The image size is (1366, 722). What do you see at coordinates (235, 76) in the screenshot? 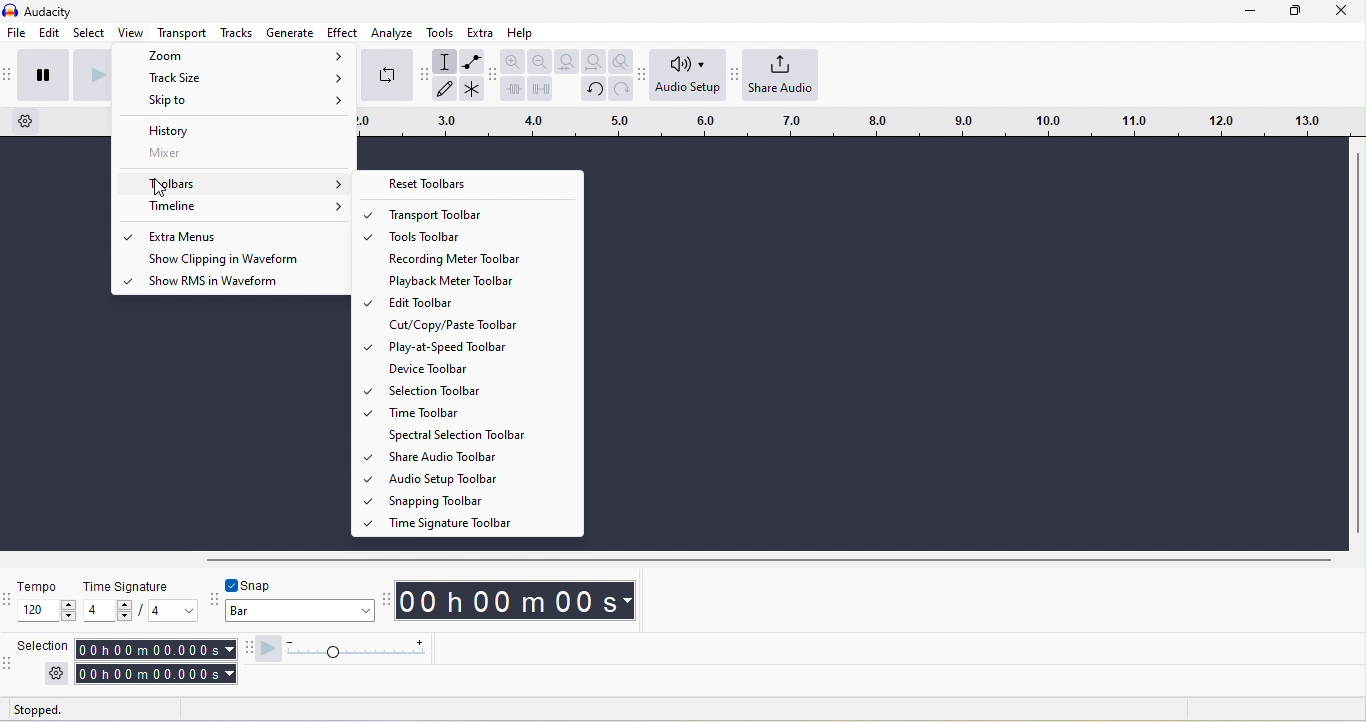
I see `Track size` at bounding box center [235, 76].